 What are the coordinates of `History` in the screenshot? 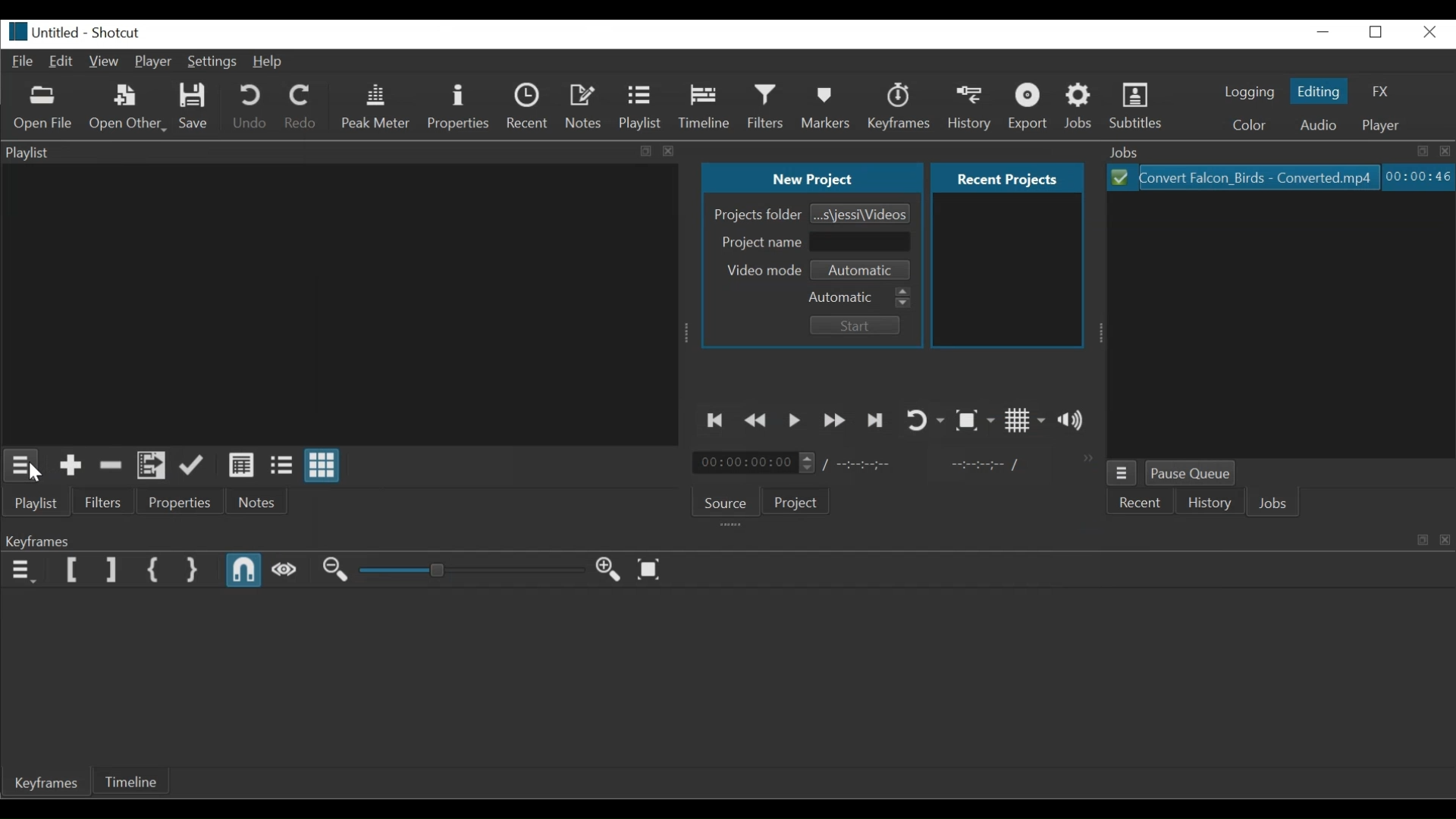 It's located at (971, 108).